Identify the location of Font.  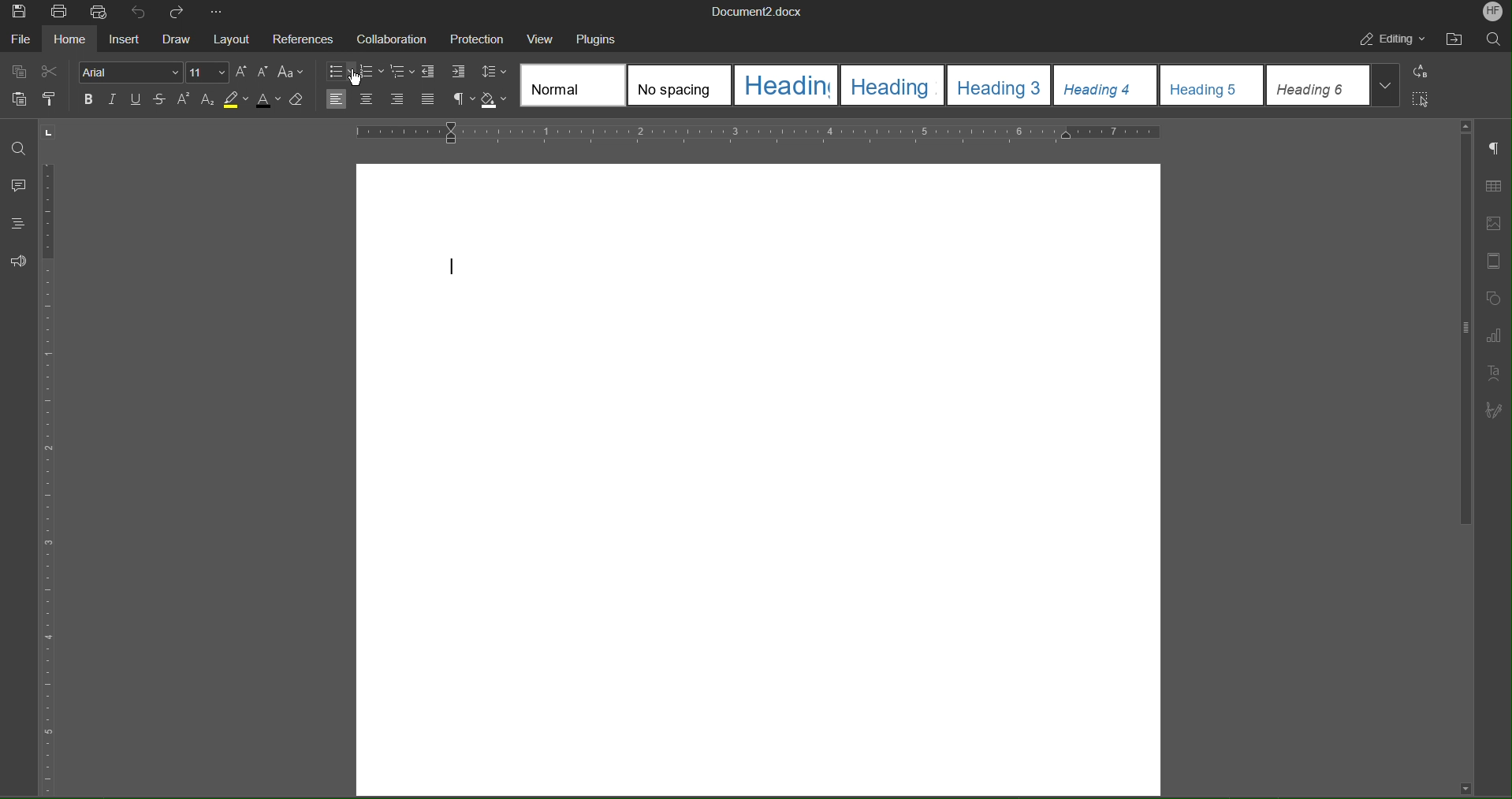
(132, 72).